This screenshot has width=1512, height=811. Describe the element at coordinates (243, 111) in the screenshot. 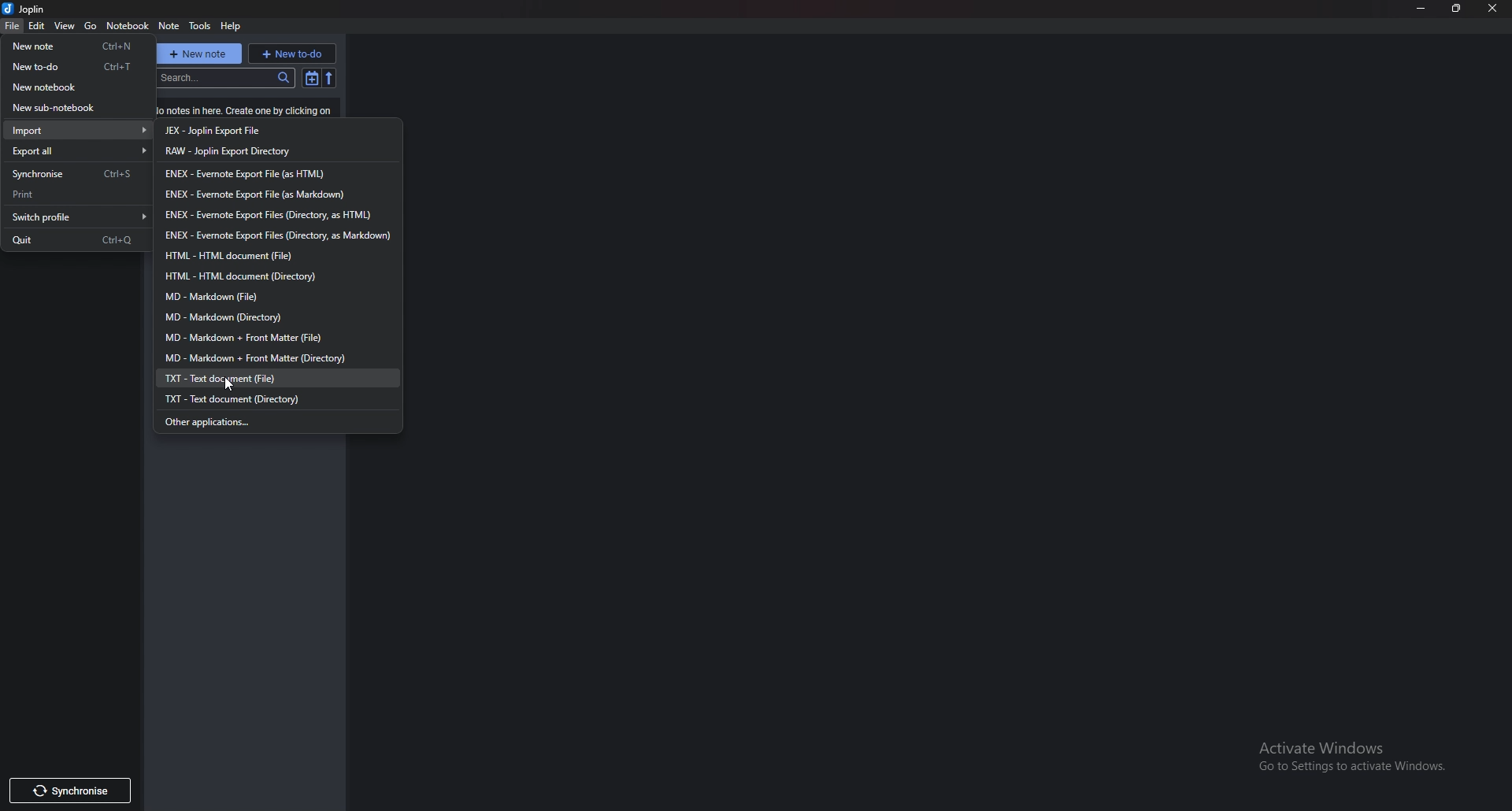

I see `Info` at that location.